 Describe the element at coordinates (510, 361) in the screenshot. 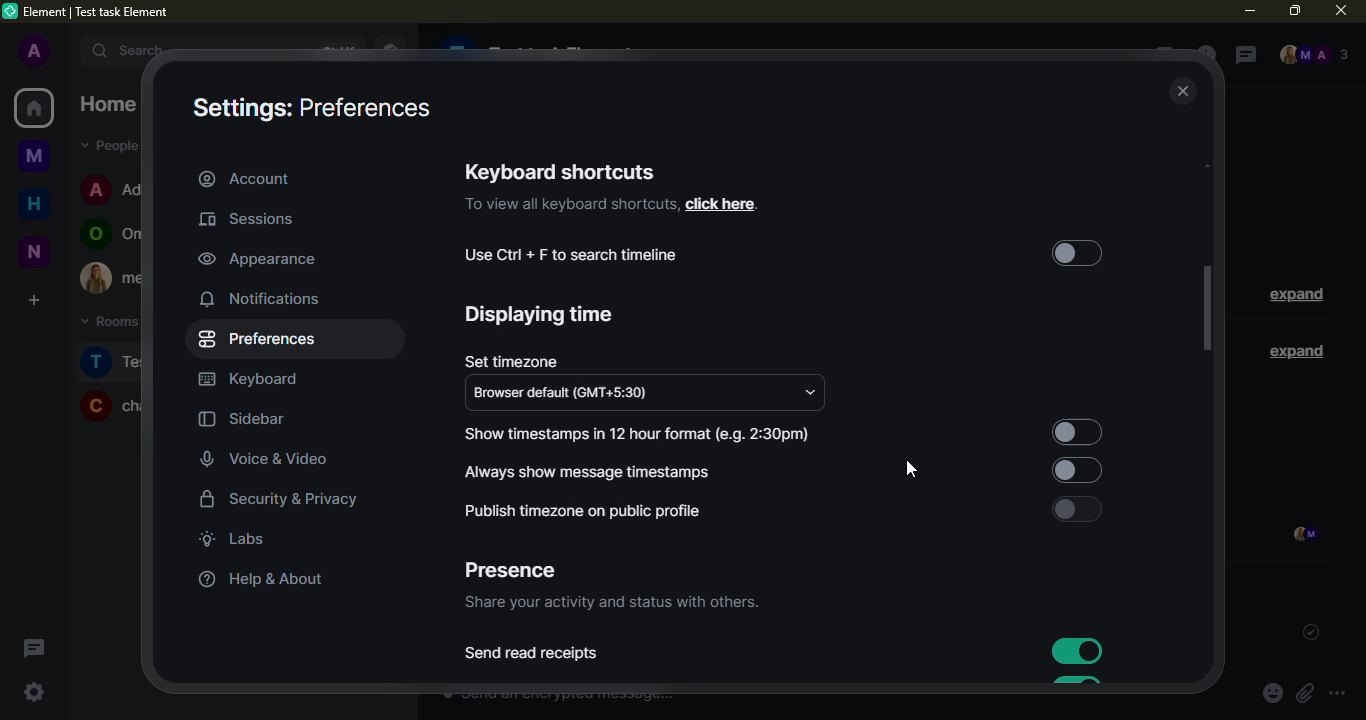

I see `set timezone` at that location.